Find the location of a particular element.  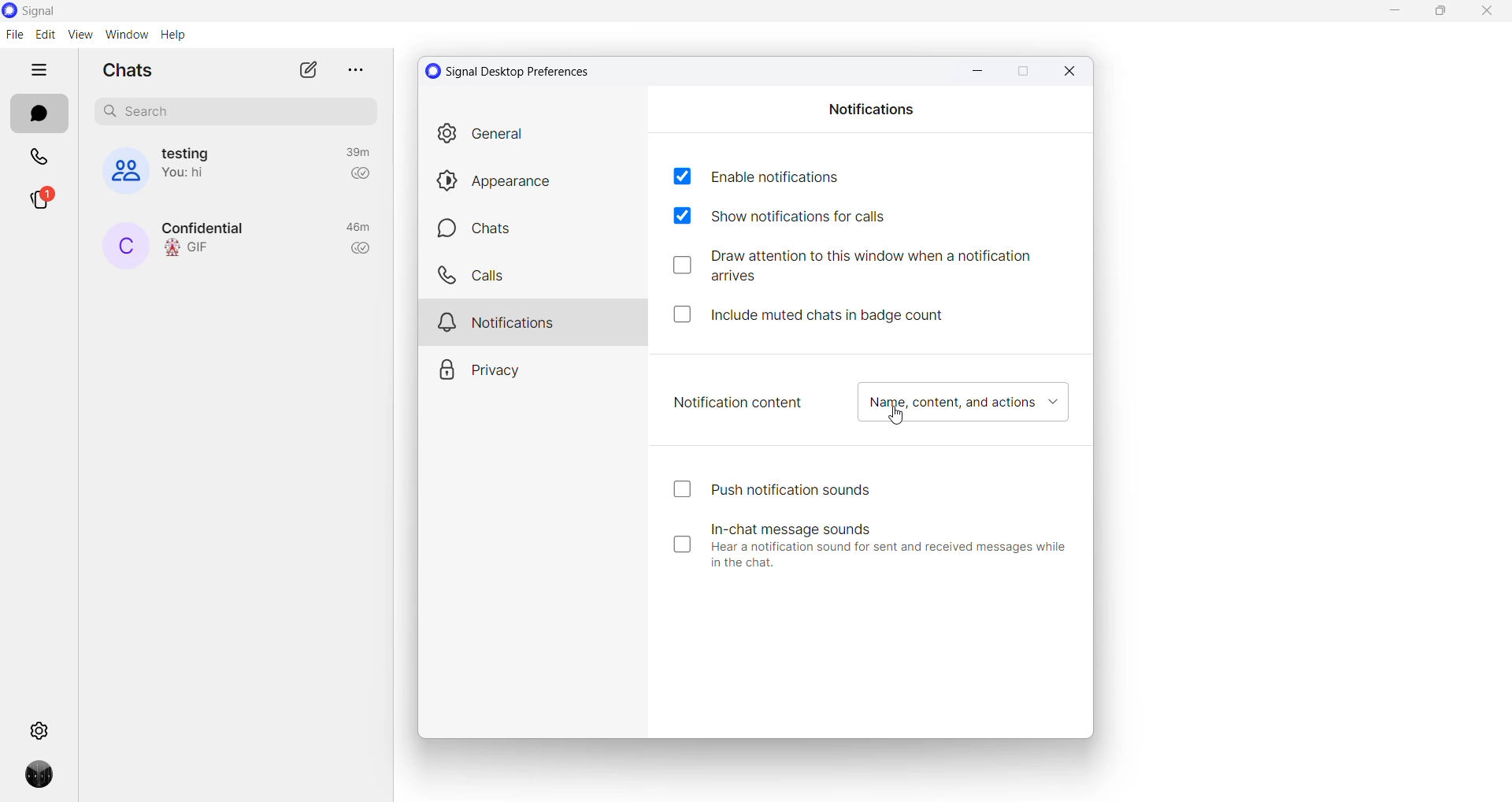

search chat is located at coordinates (235, 112).